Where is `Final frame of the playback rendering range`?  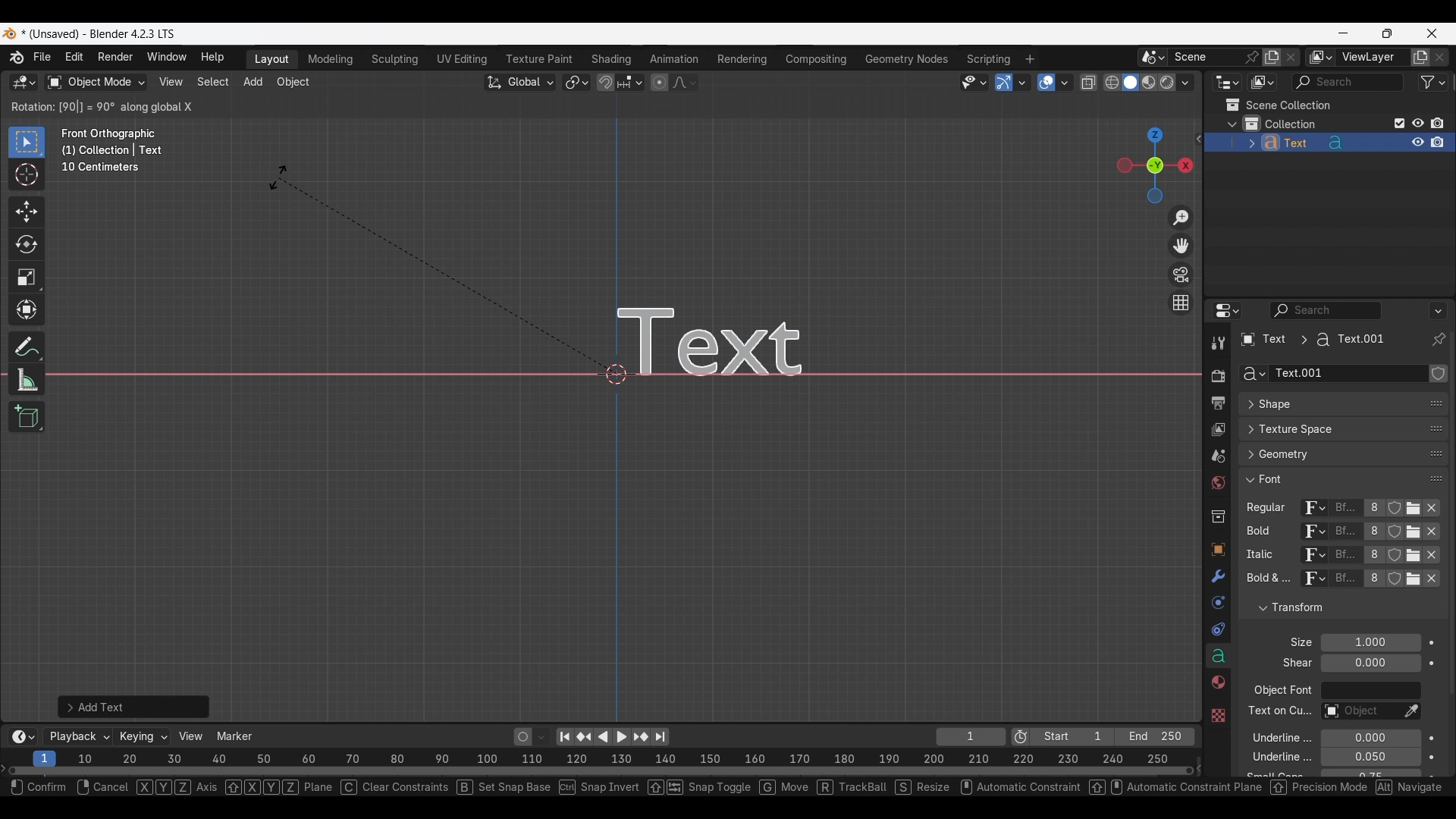 Final frame of the playback rendering range is located at coordinates (1112, 737).